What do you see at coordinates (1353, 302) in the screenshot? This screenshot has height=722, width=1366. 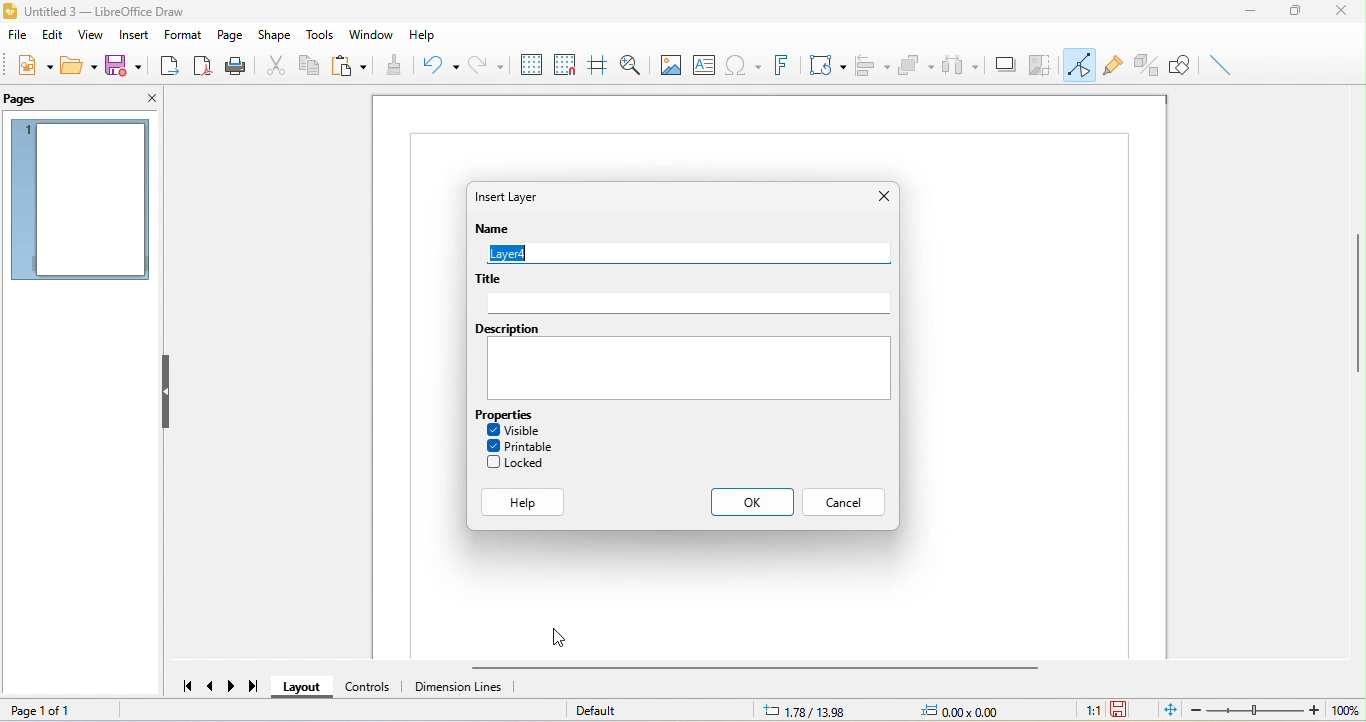 I see `vertical scroll bar` at bounding box center [1353, 302].